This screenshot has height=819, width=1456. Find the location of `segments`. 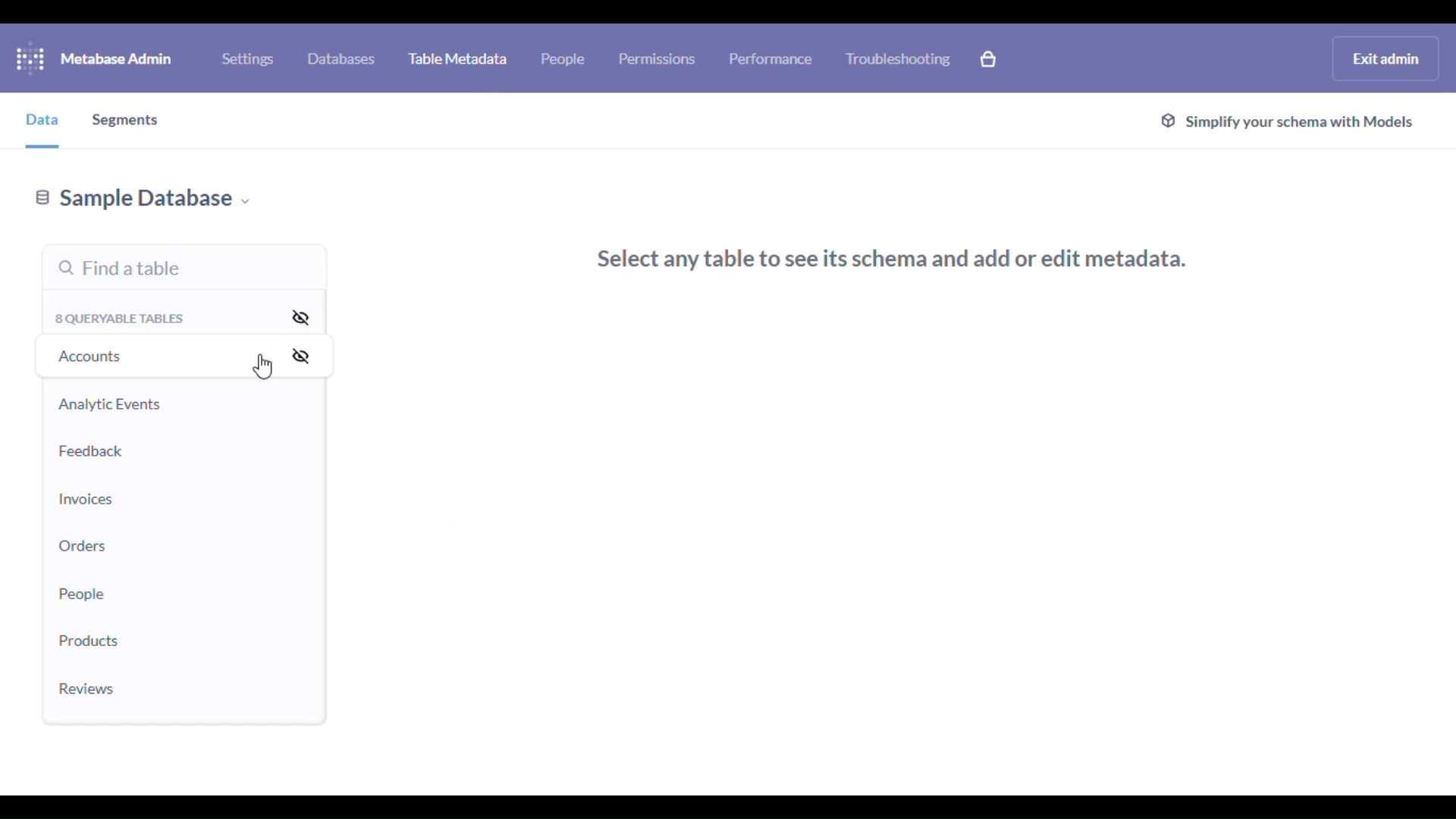

segments is located at coordinates (127, 122).